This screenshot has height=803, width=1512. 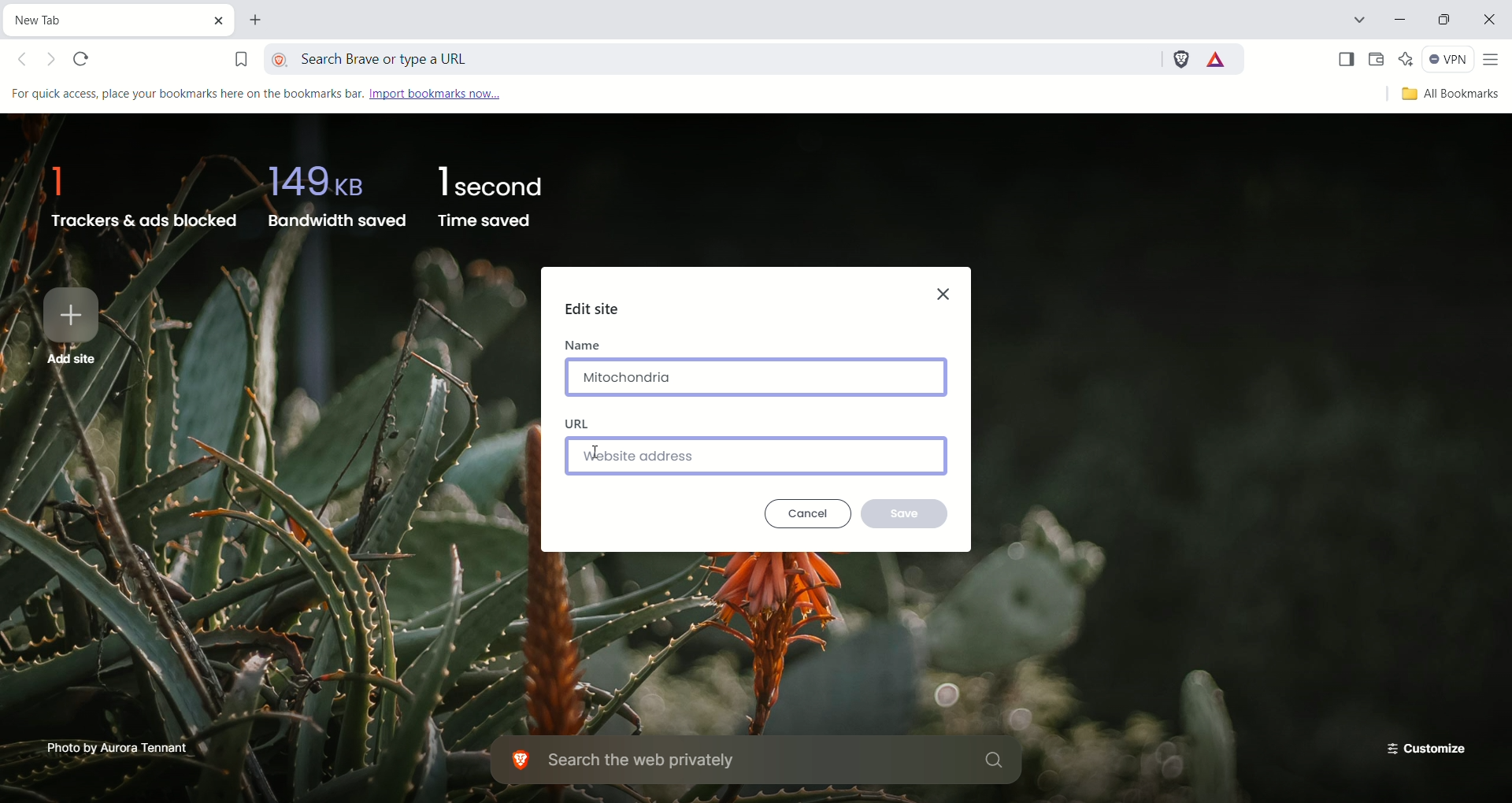 What do you see at coordinates (755, 456) in the screenshot?
I see `Website address` at bounding box center [755, 456].